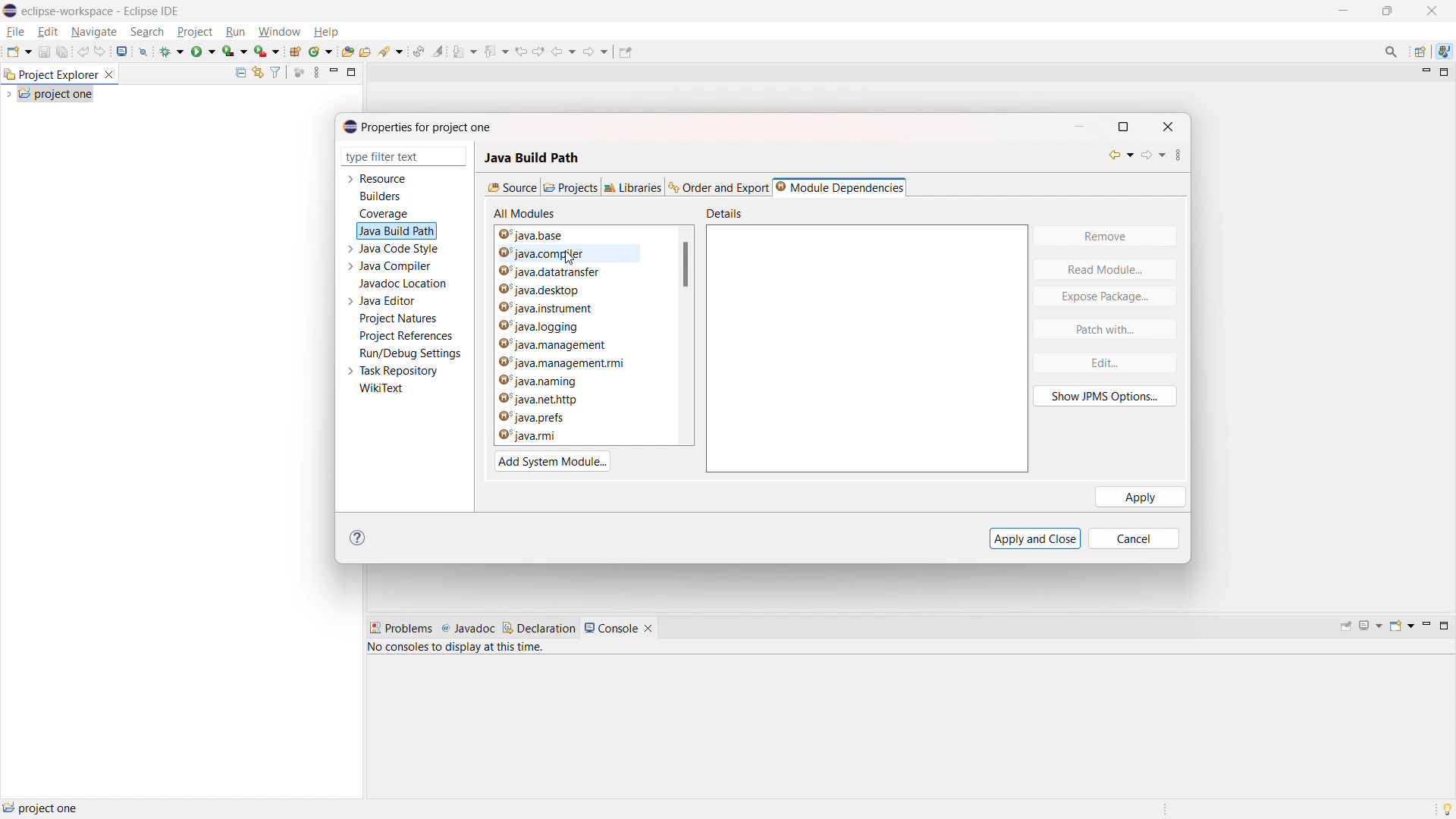 The image size is (1456, 819). Describe the element at coordinates (399, 318) in the screenshot. I see `project natures` at that location.